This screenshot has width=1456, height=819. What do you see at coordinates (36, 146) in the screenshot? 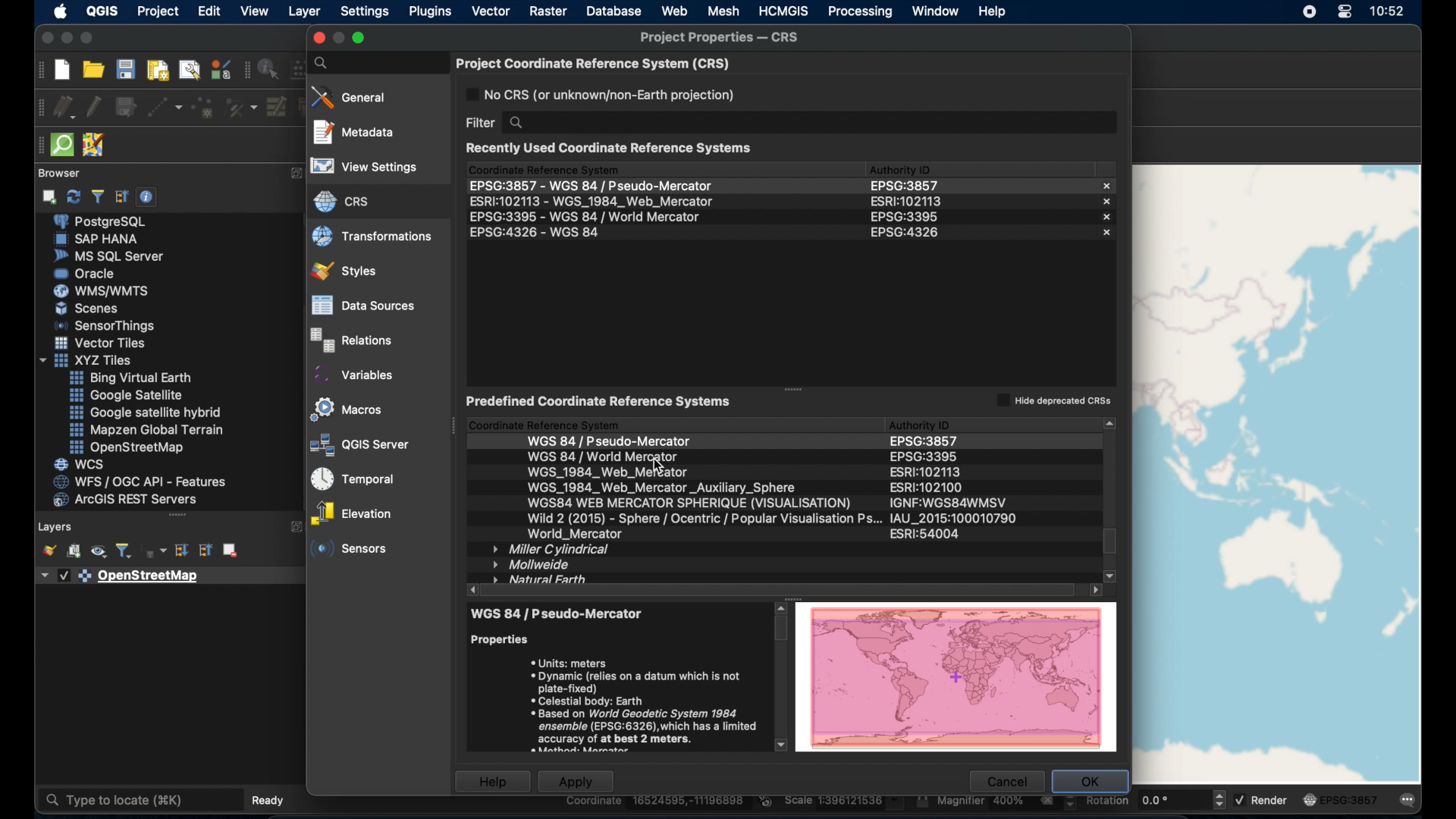
I see `drag handle` at bounding box center [36, 146].